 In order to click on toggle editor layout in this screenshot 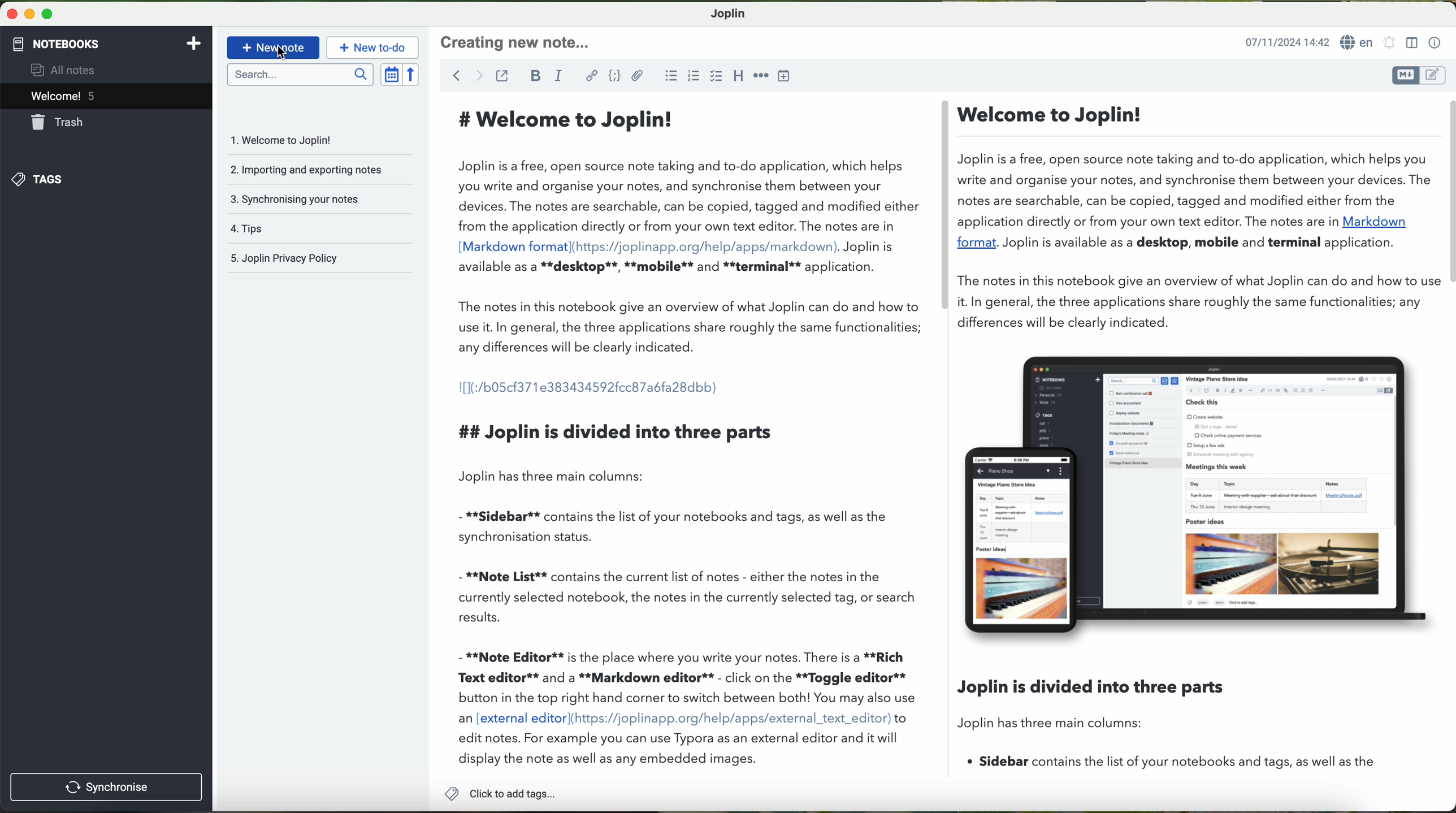, I will do `click(1411, 43)`.